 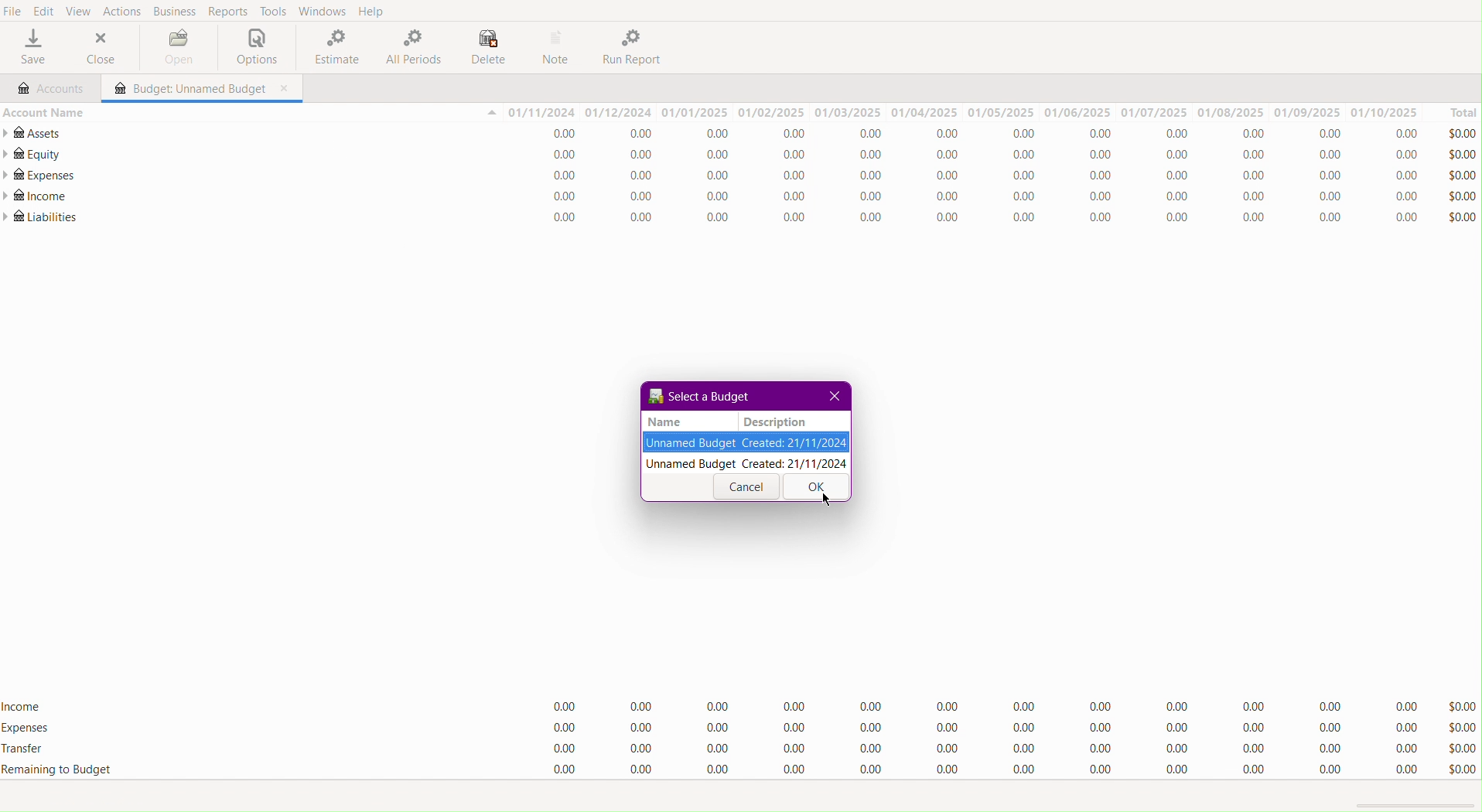 I want to click on Windows, so click(x=323, y=12).